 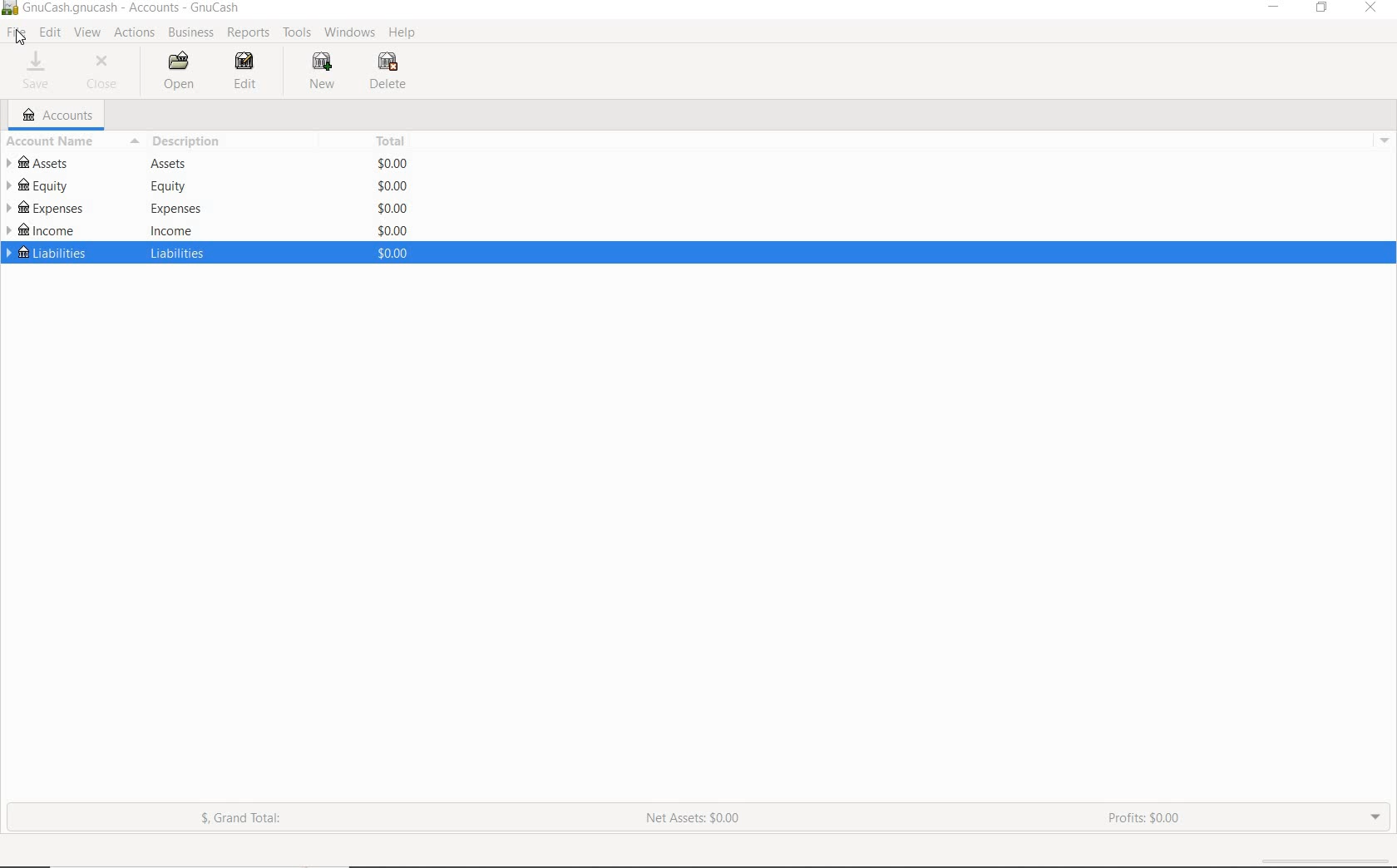 What do you see at coordinates (106, 71) in the screenshot?
I see `CLOSE` at bounding box center [106, 71].